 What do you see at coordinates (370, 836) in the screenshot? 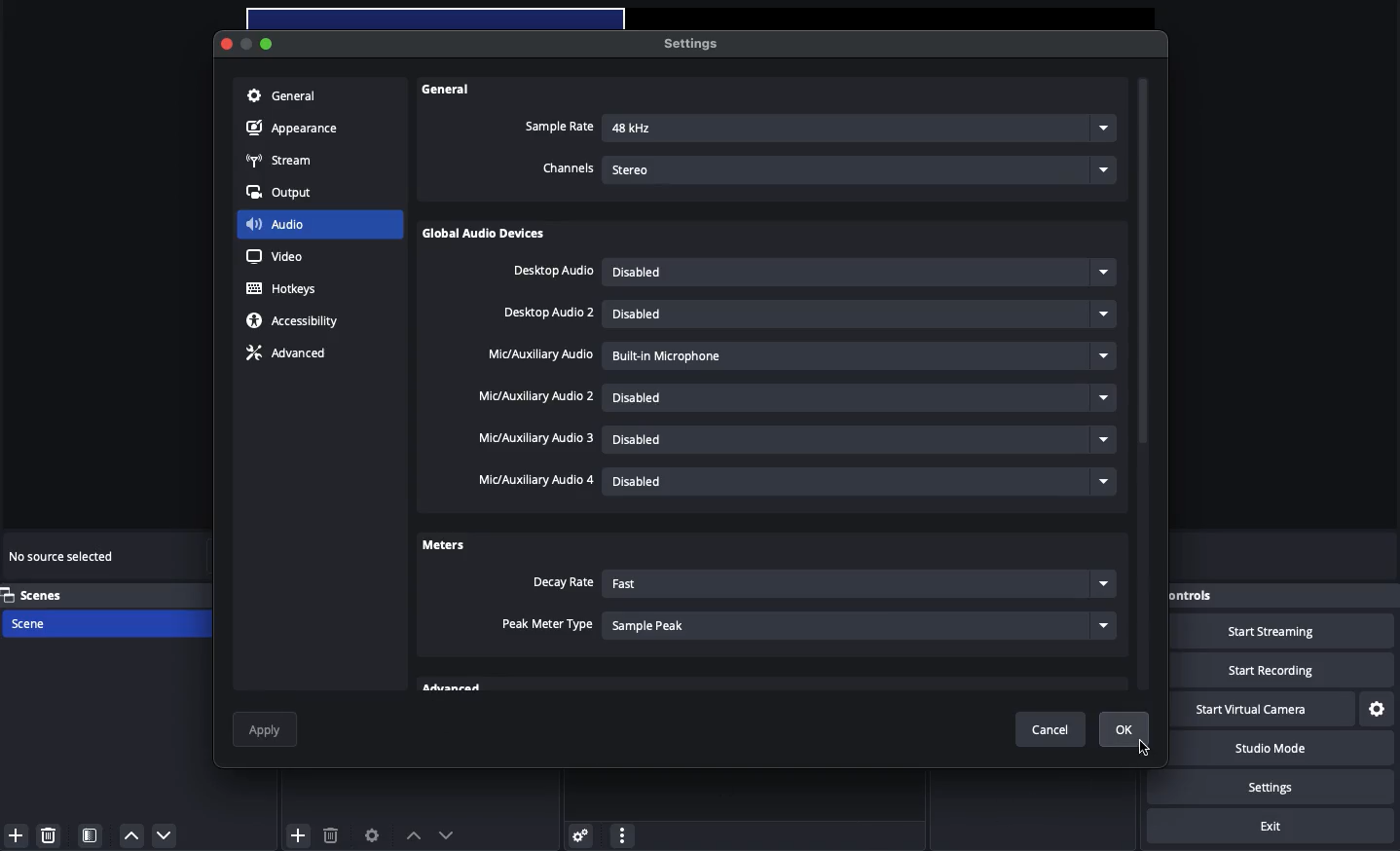
I see `Source preferences` at bounding box center [370, 836].